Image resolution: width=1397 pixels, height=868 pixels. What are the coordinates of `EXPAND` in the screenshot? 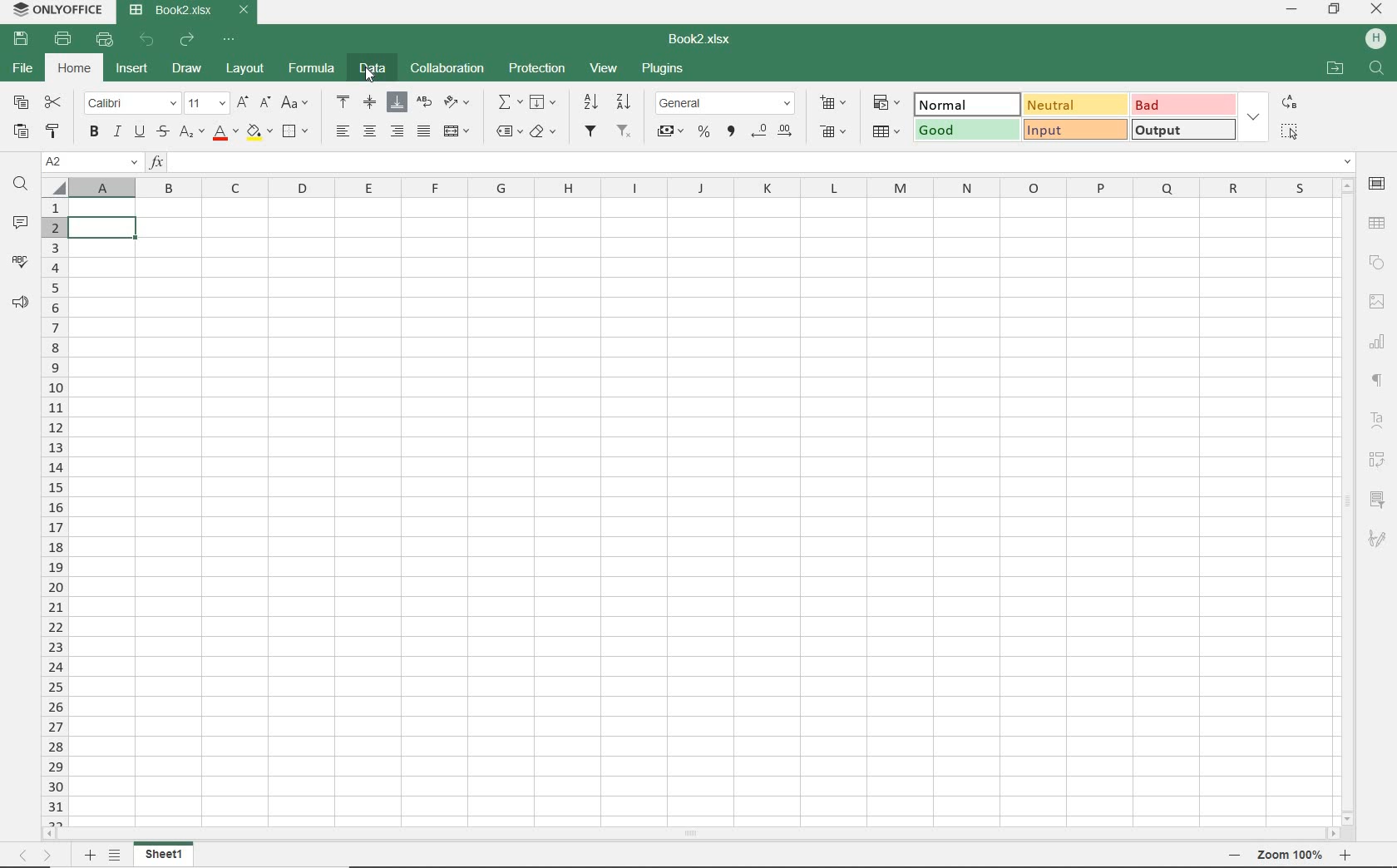 It's located at (1255, 116).